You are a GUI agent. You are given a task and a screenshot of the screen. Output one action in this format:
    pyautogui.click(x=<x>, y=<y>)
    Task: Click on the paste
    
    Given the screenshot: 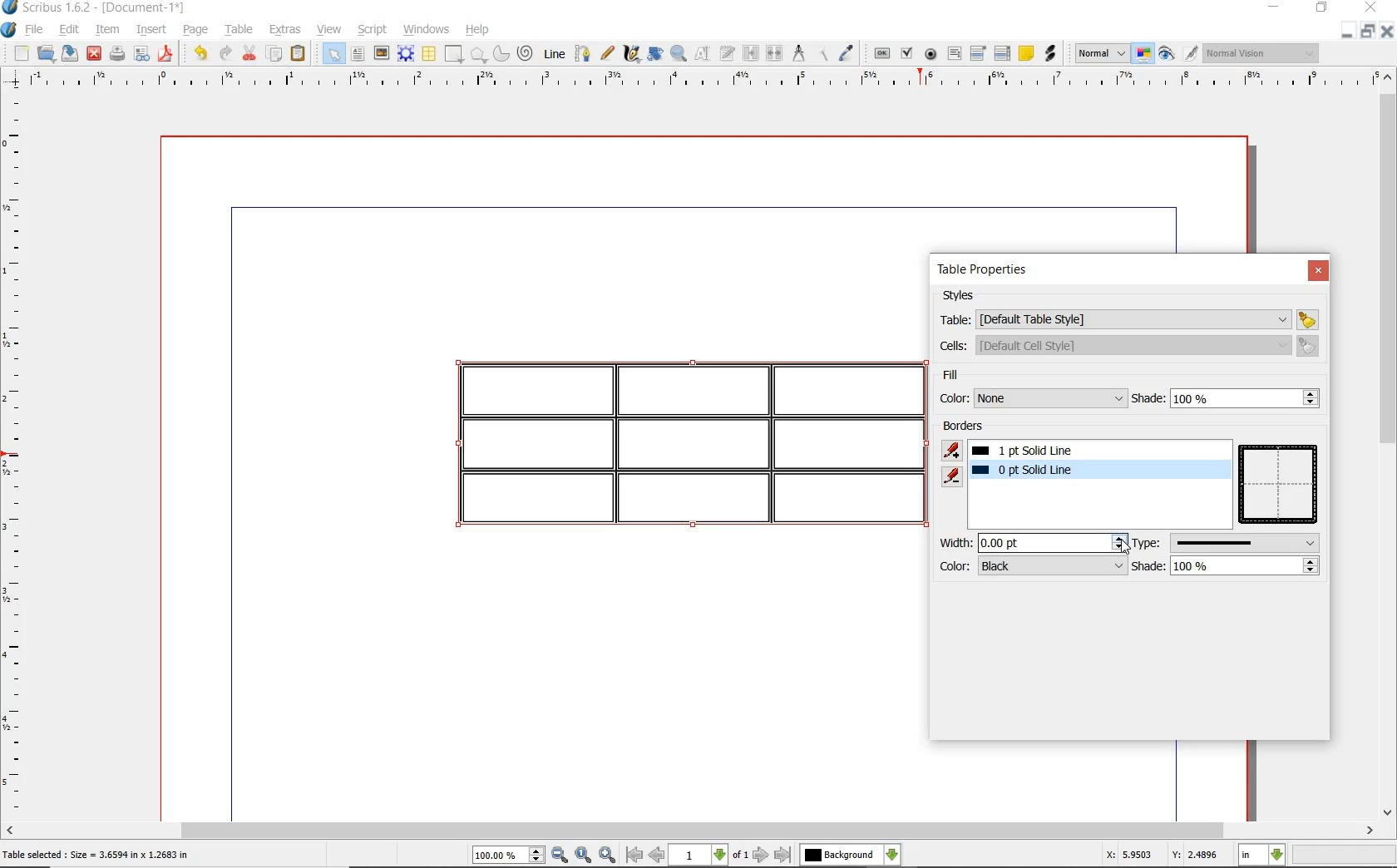 What is the action you would take?
    pyautogui.click(x=299, y=53)
    